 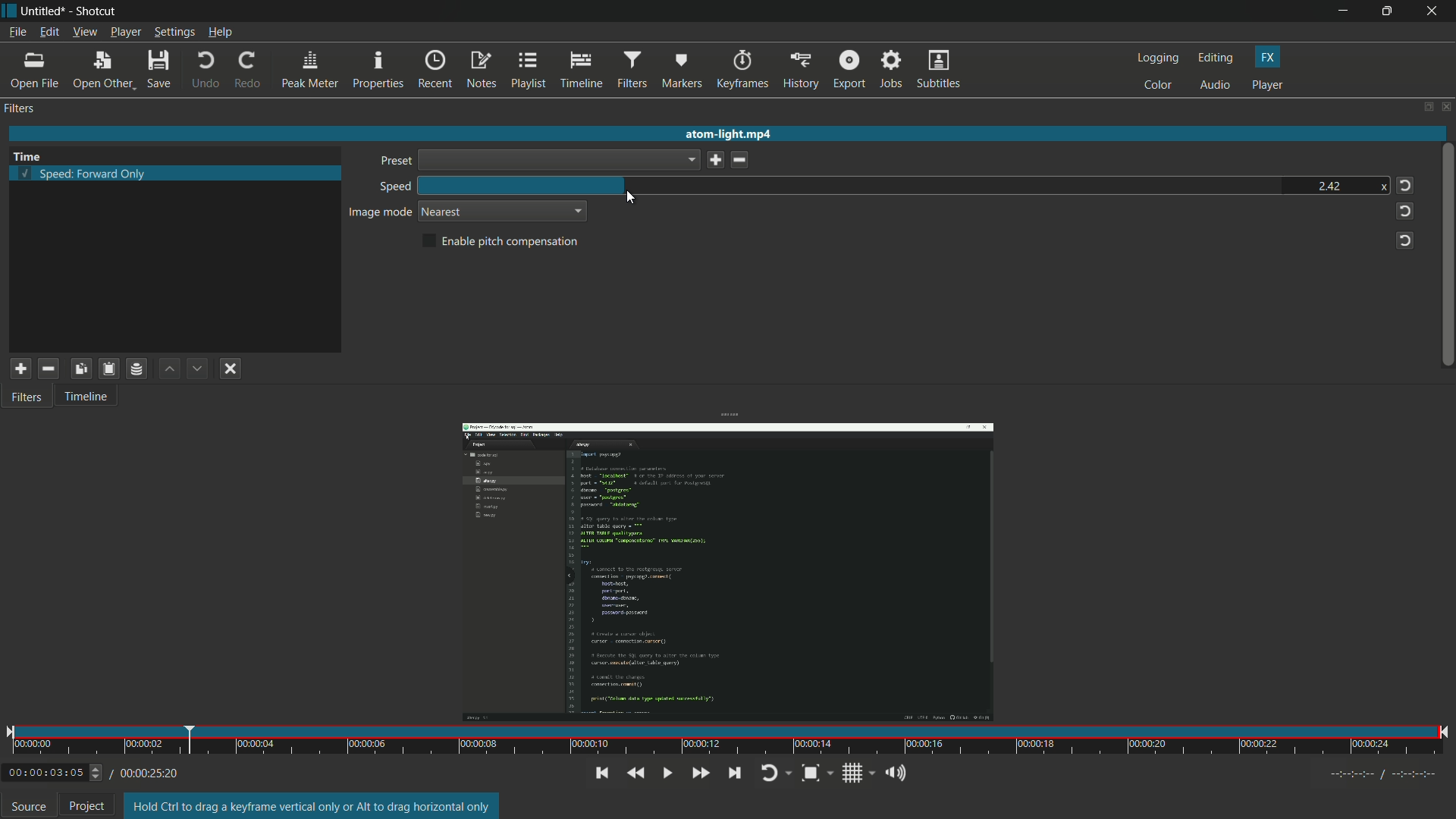 I want to click on jobs, so click(x=893, y=70).